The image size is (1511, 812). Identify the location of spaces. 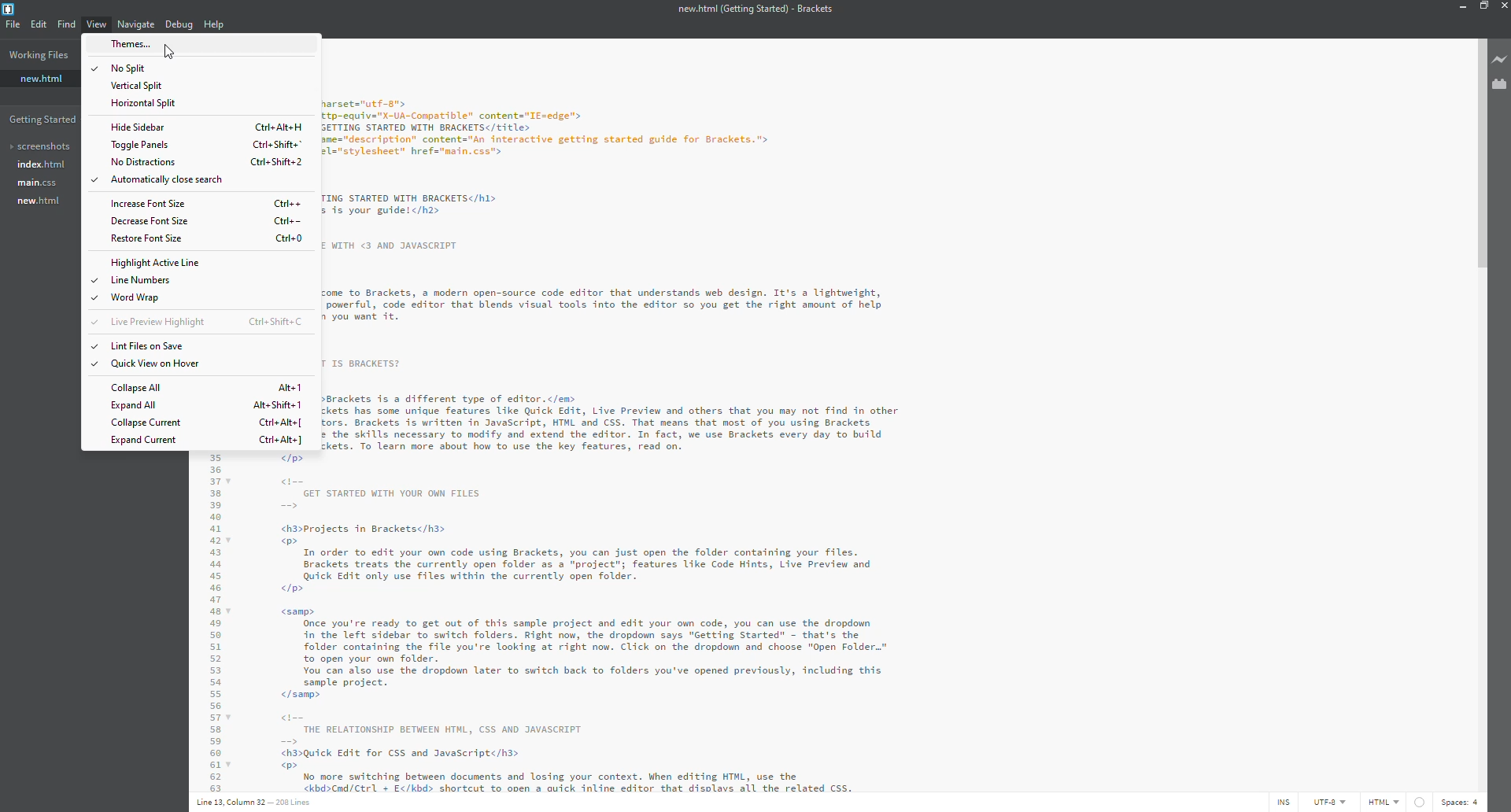
(1457, 802).